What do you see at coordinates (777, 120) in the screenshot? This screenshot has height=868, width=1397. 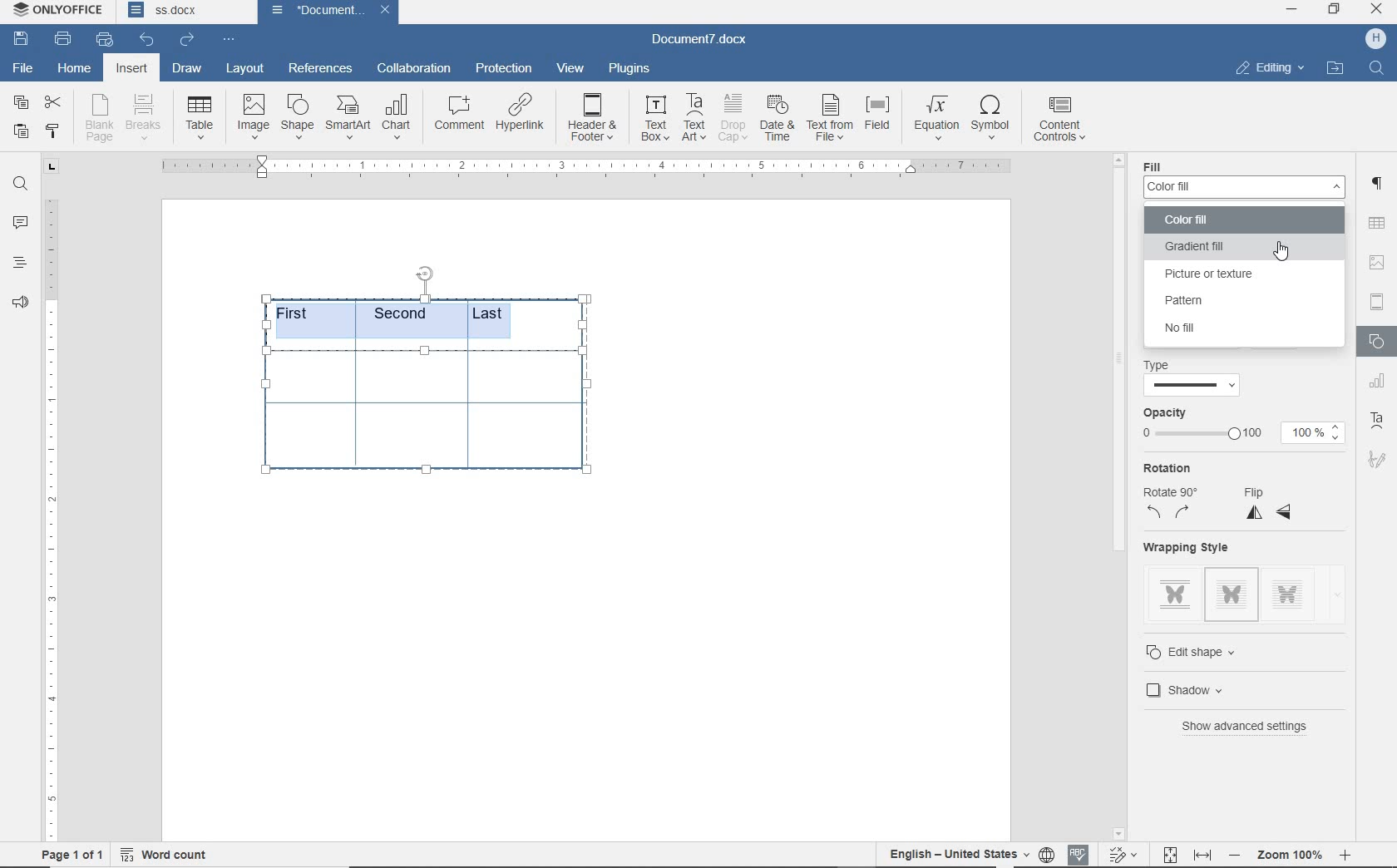 I see `date & time` at bounding box center [777, 120].